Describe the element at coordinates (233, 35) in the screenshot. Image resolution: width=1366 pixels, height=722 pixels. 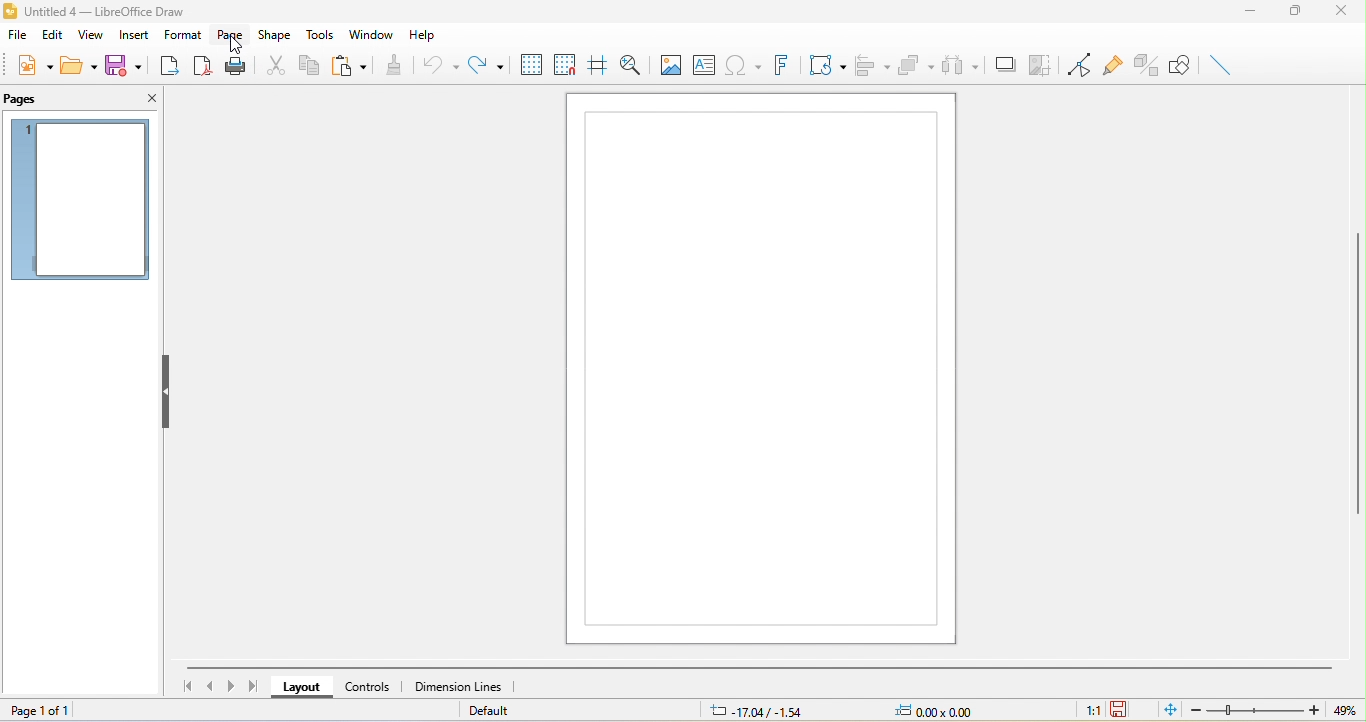
I see `page` at that location.